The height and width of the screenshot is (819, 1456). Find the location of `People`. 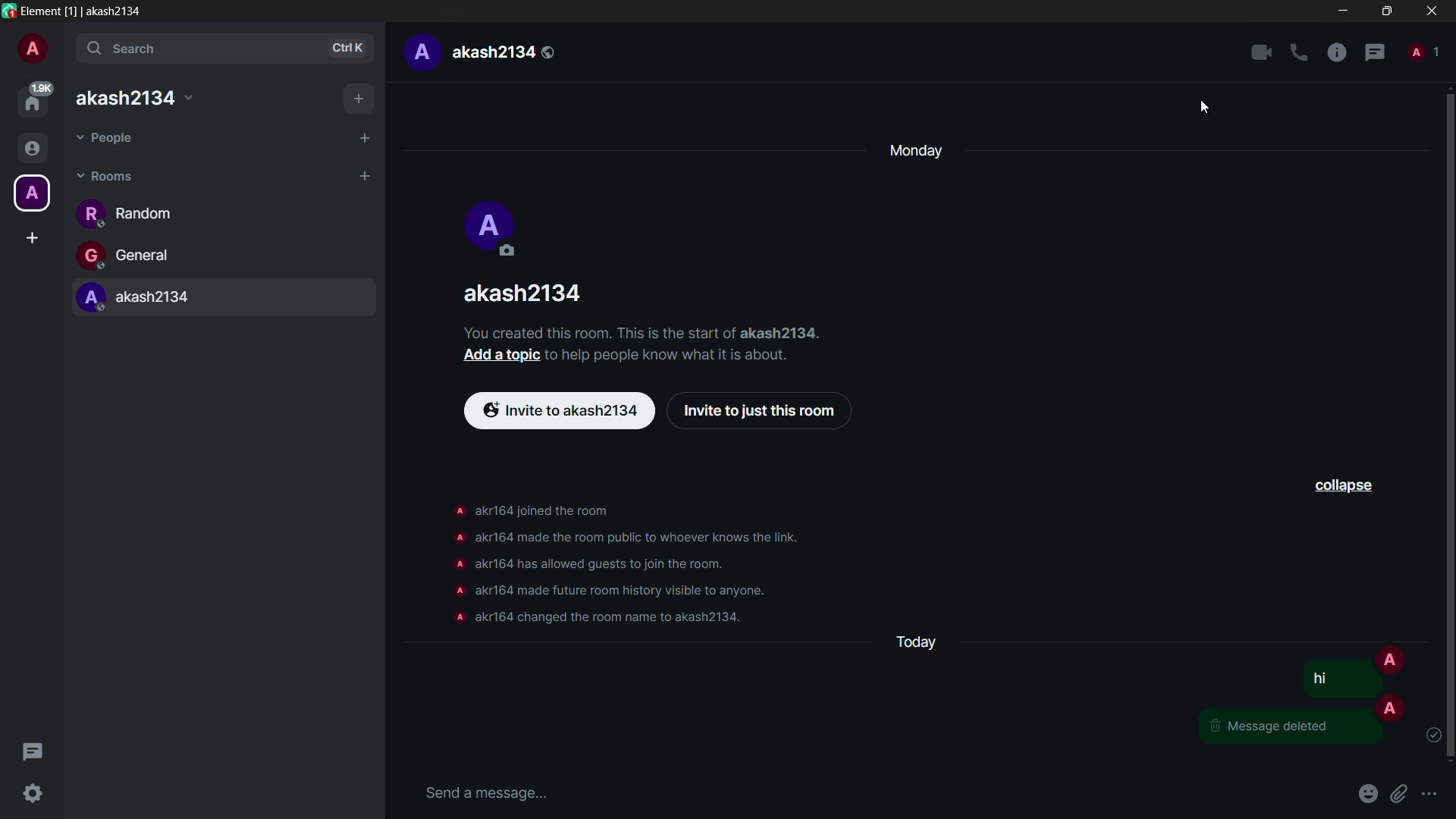

People is located at coordinates (143, 138).